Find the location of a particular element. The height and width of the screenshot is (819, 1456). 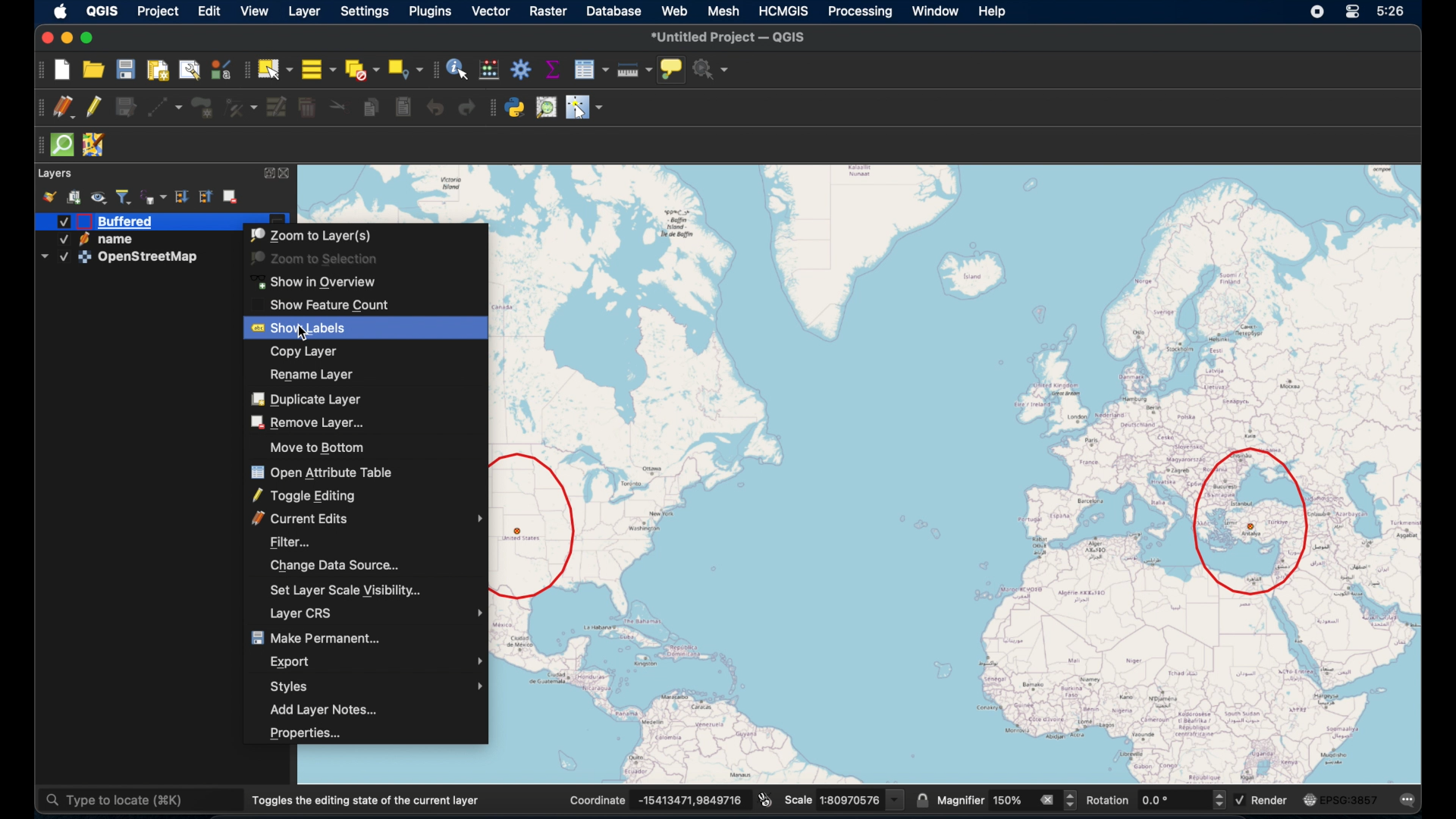

someplace search is located at coordinates (547, 107).